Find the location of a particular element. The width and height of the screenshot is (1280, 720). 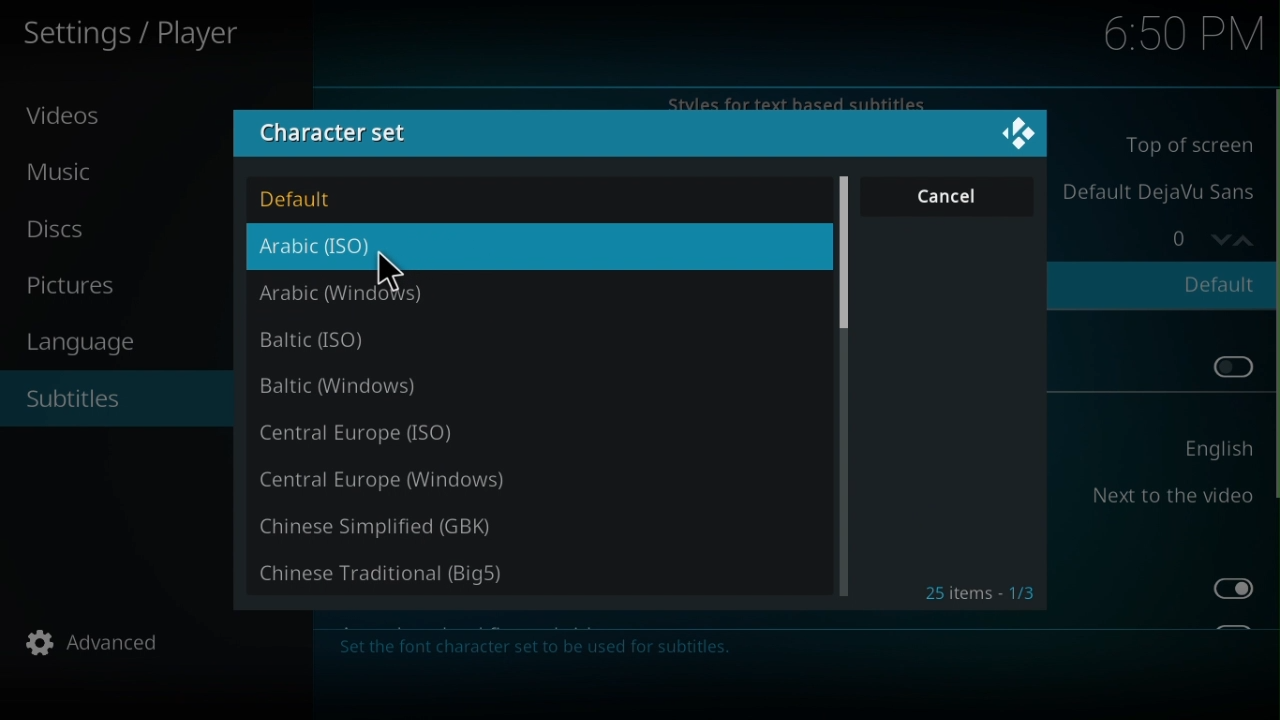

Settings/player is located at coordinates (154, 35).